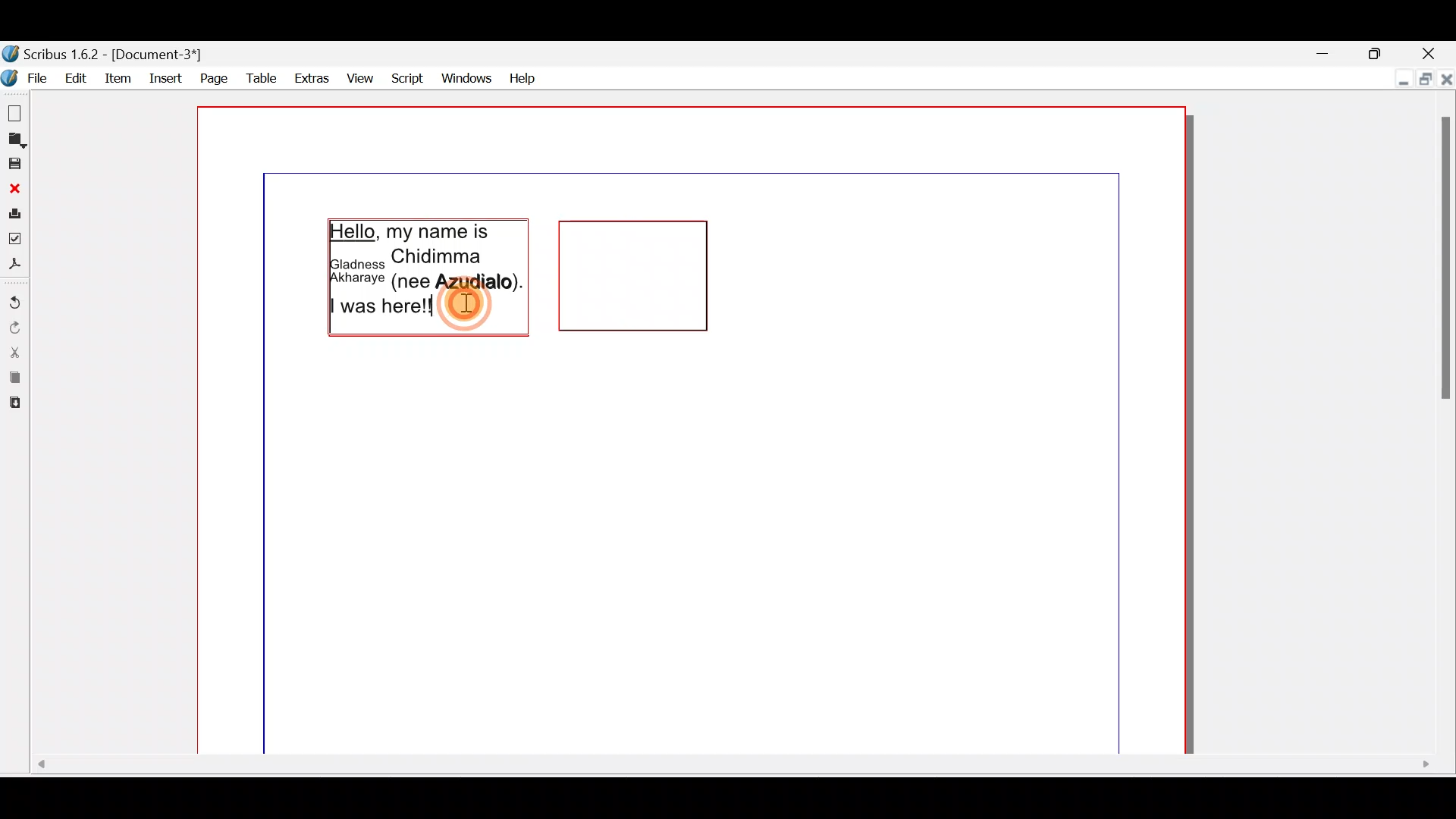 This screenshot has height=819, width=1456. What do you see at coordinates (163, 76) in the screenshot?
I see `Insert` at bounding box center [163, 76].